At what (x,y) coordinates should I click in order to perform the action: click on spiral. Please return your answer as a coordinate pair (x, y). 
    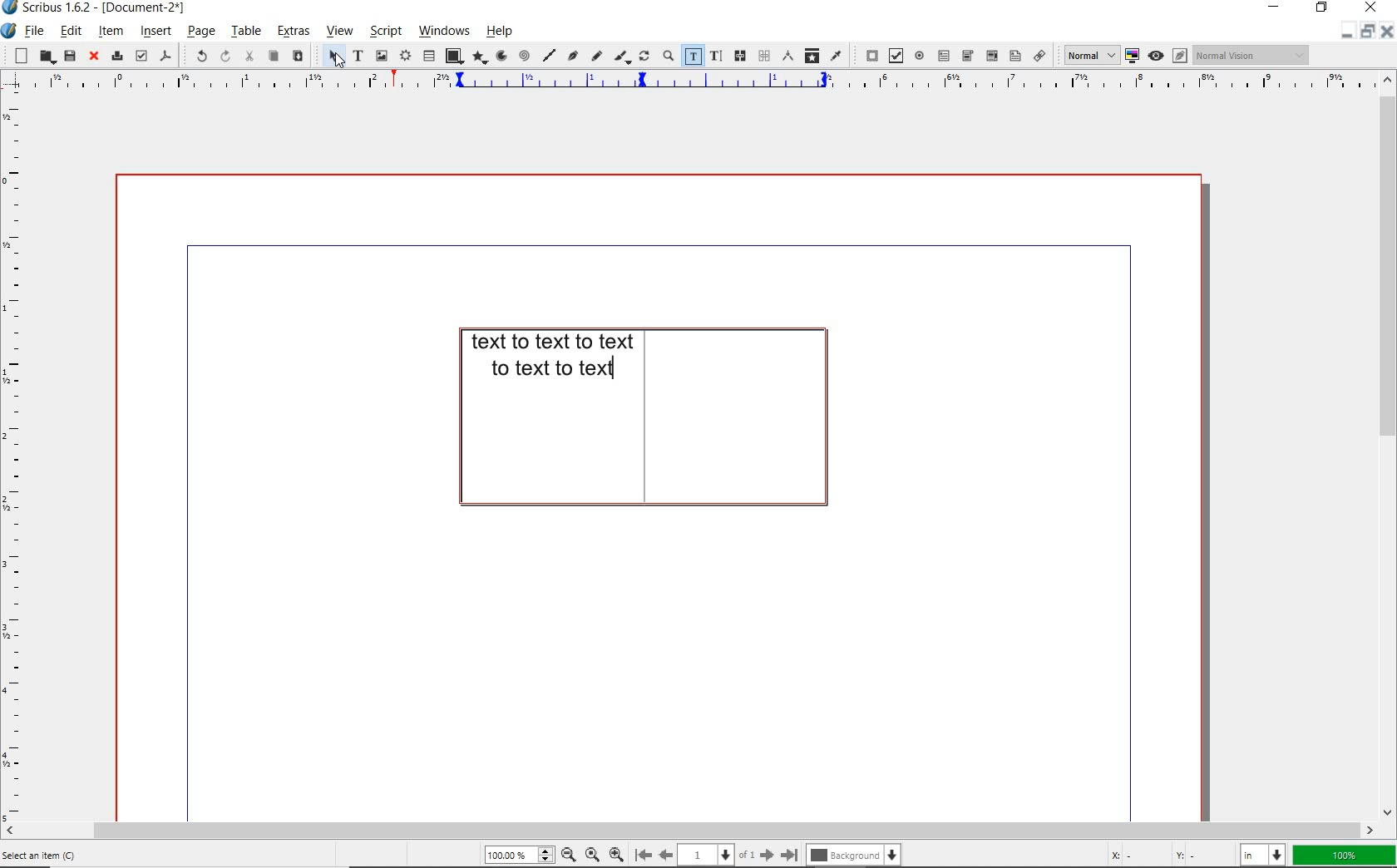
    Looking at the image, I should click on (524, 55).